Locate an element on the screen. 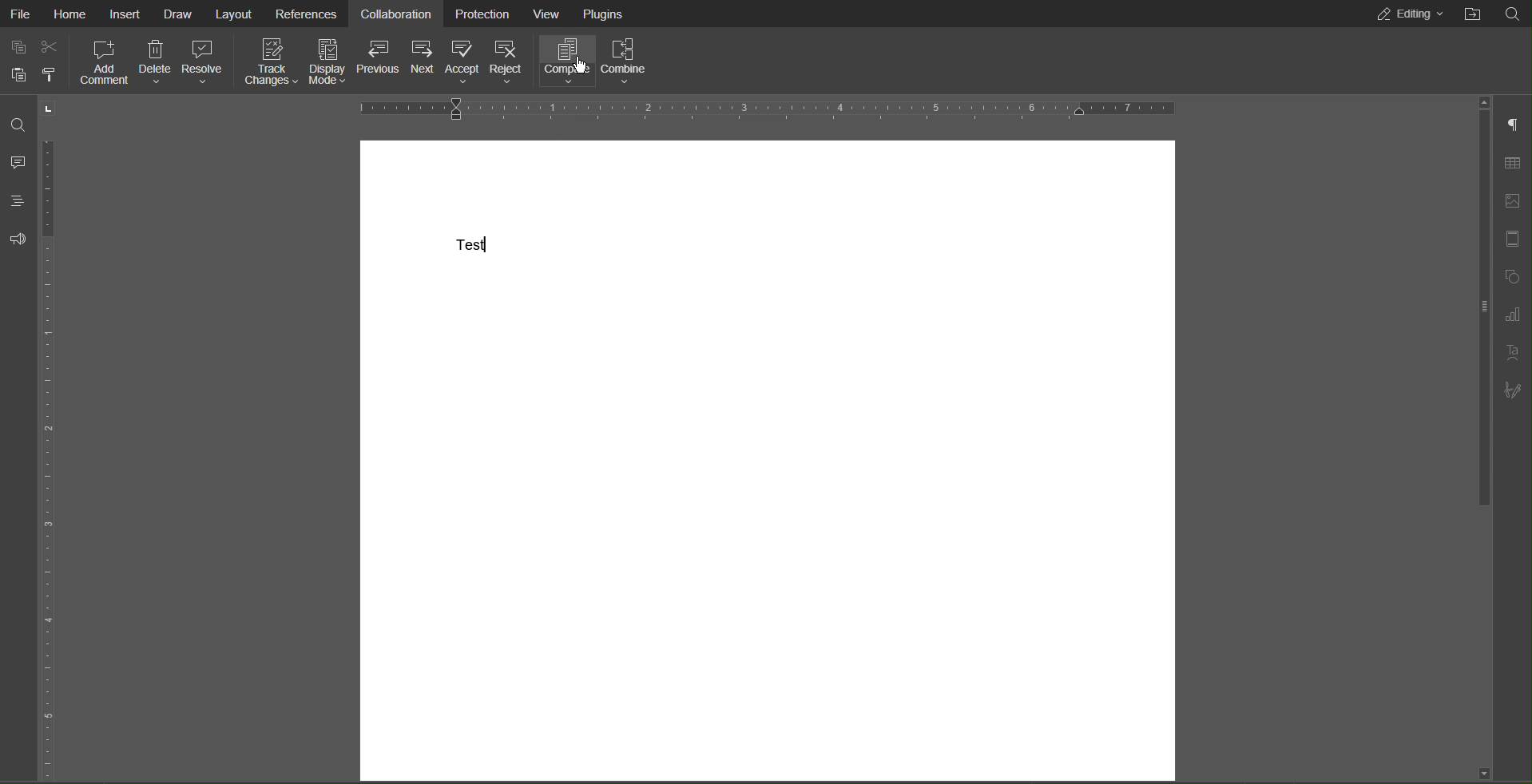 This screenshot has width=1532, height=784. Insert is located at coordinates (127, 14).